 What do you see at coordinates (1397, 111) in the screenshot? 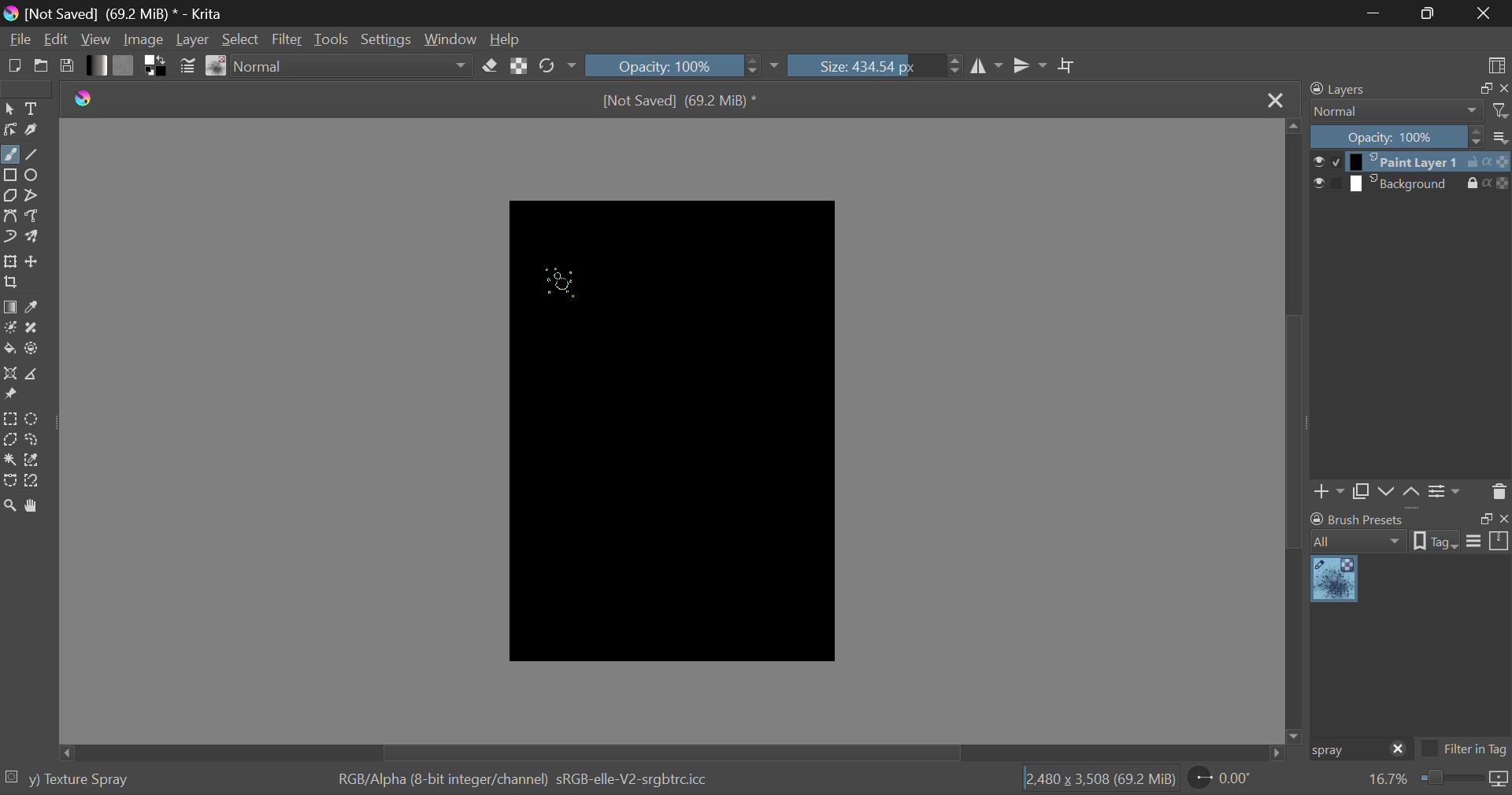
I see `normal` at bounding box center [1397, 111].